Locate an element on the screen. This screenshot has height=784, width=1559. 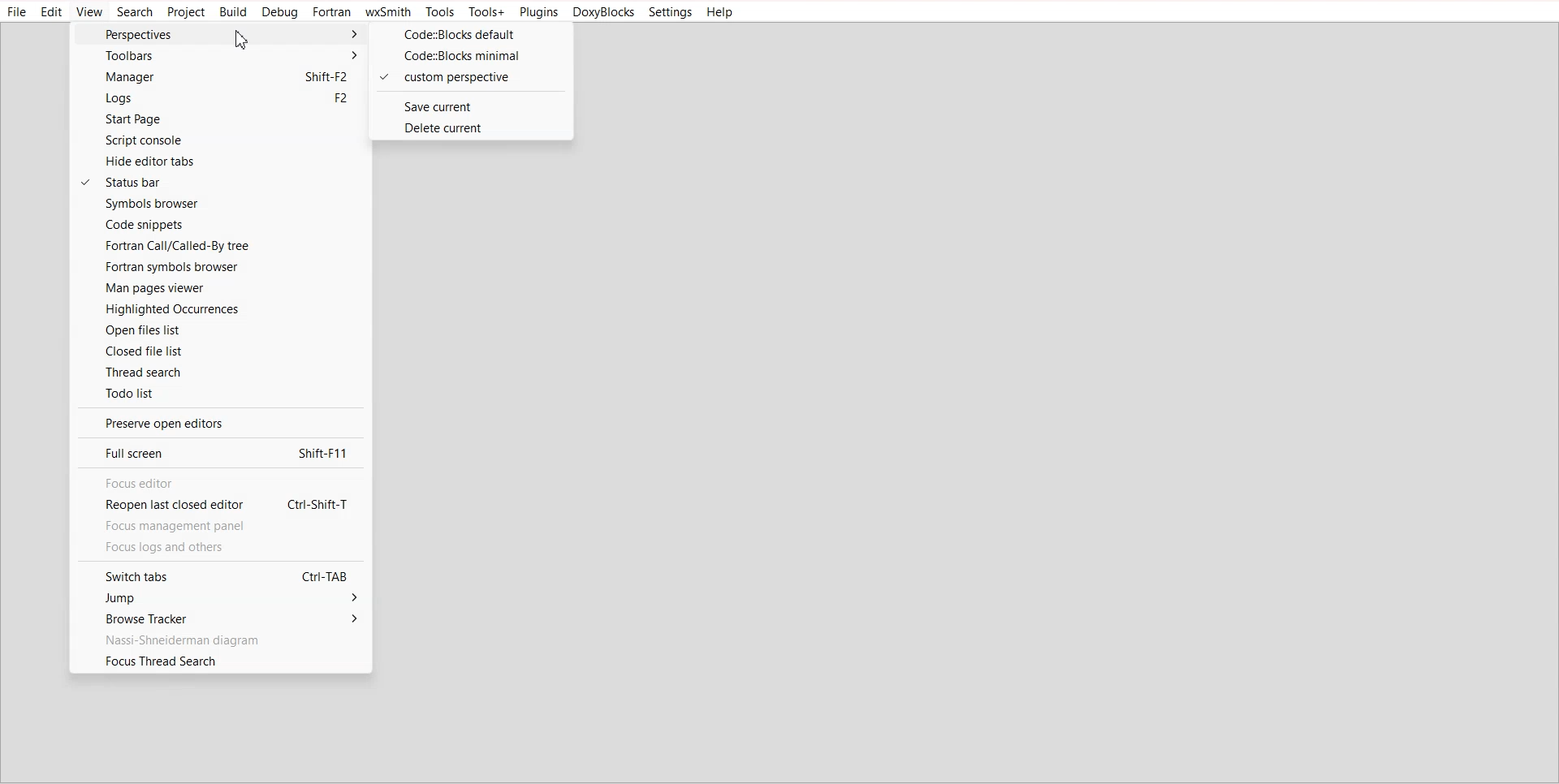
Fortran symbols browser is located at coordinates (219, 267).